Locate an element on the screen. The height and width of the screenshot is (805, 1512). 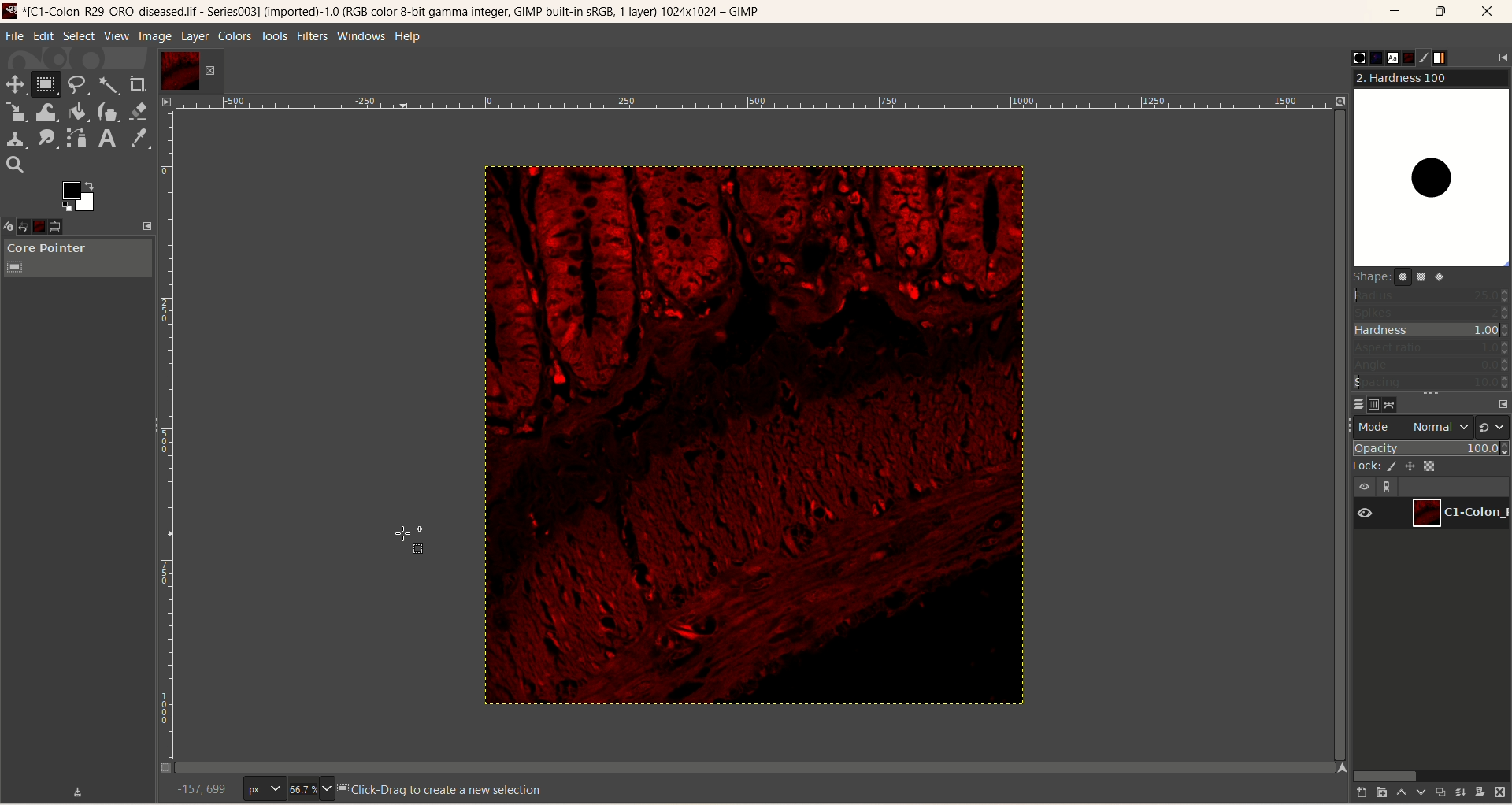
eraser is located at coordinates (140, 111).